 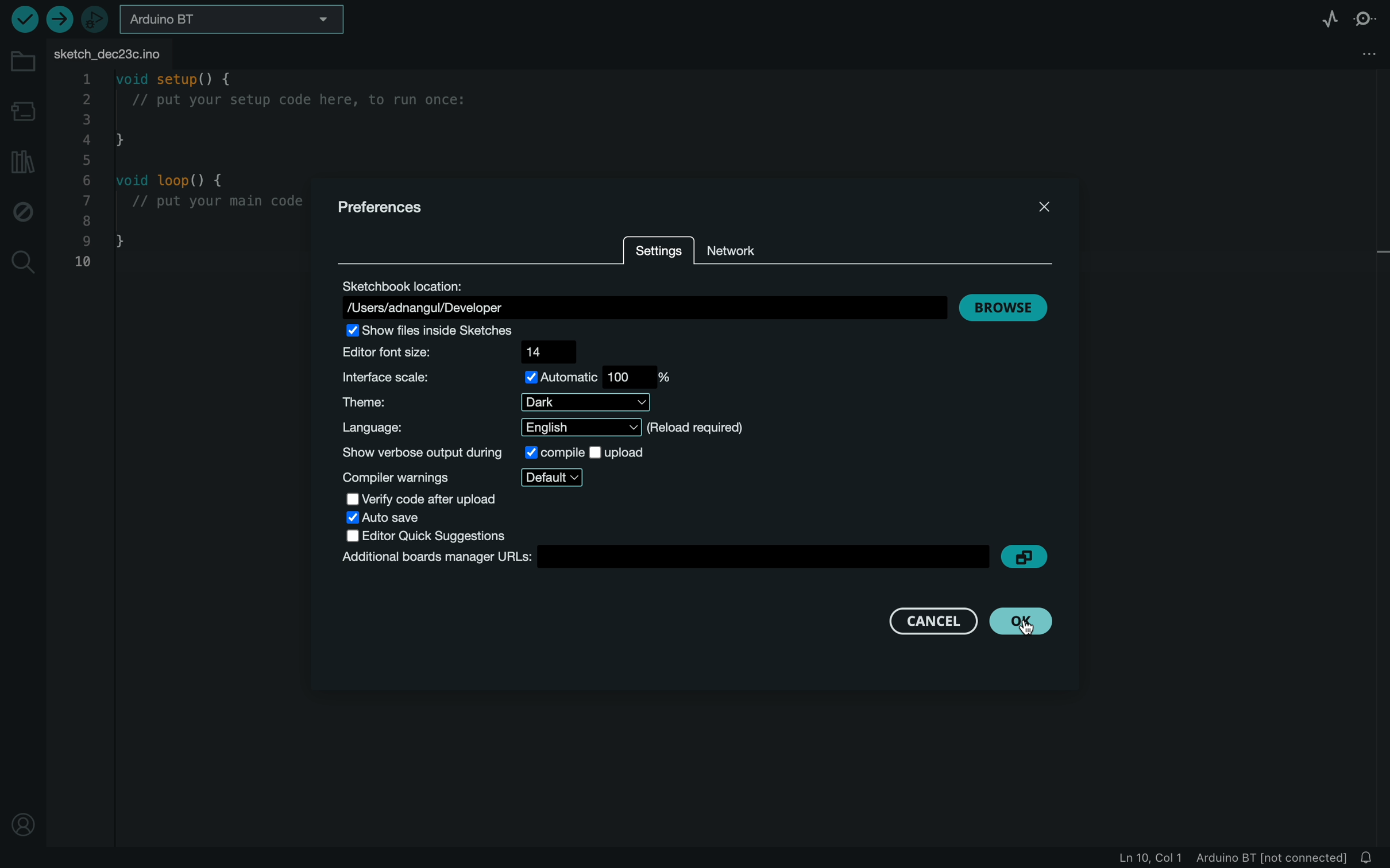 I want to click on library manager, so click(x=24, y=165).